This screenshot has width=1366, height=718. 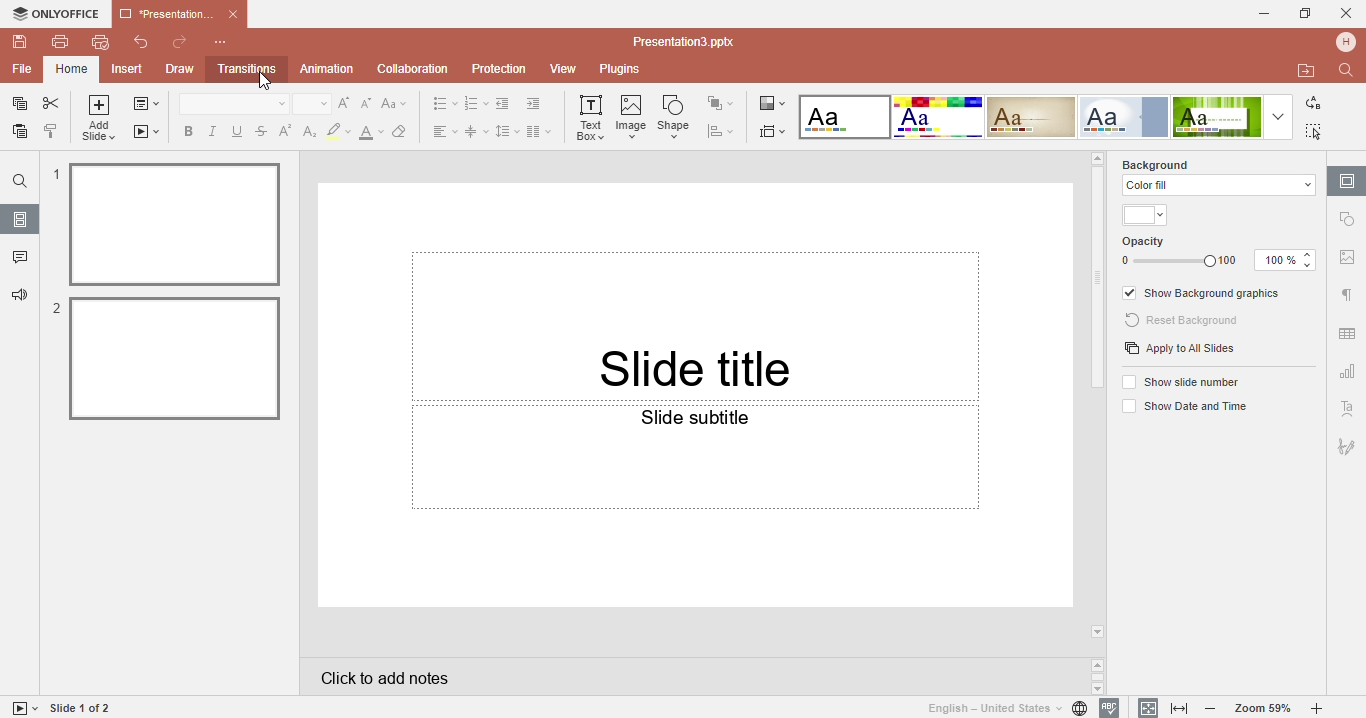 What do you see at coordinates (1347, 408) in the screenshot?
I see `Text art setting` at bounding box center [1347, 408].